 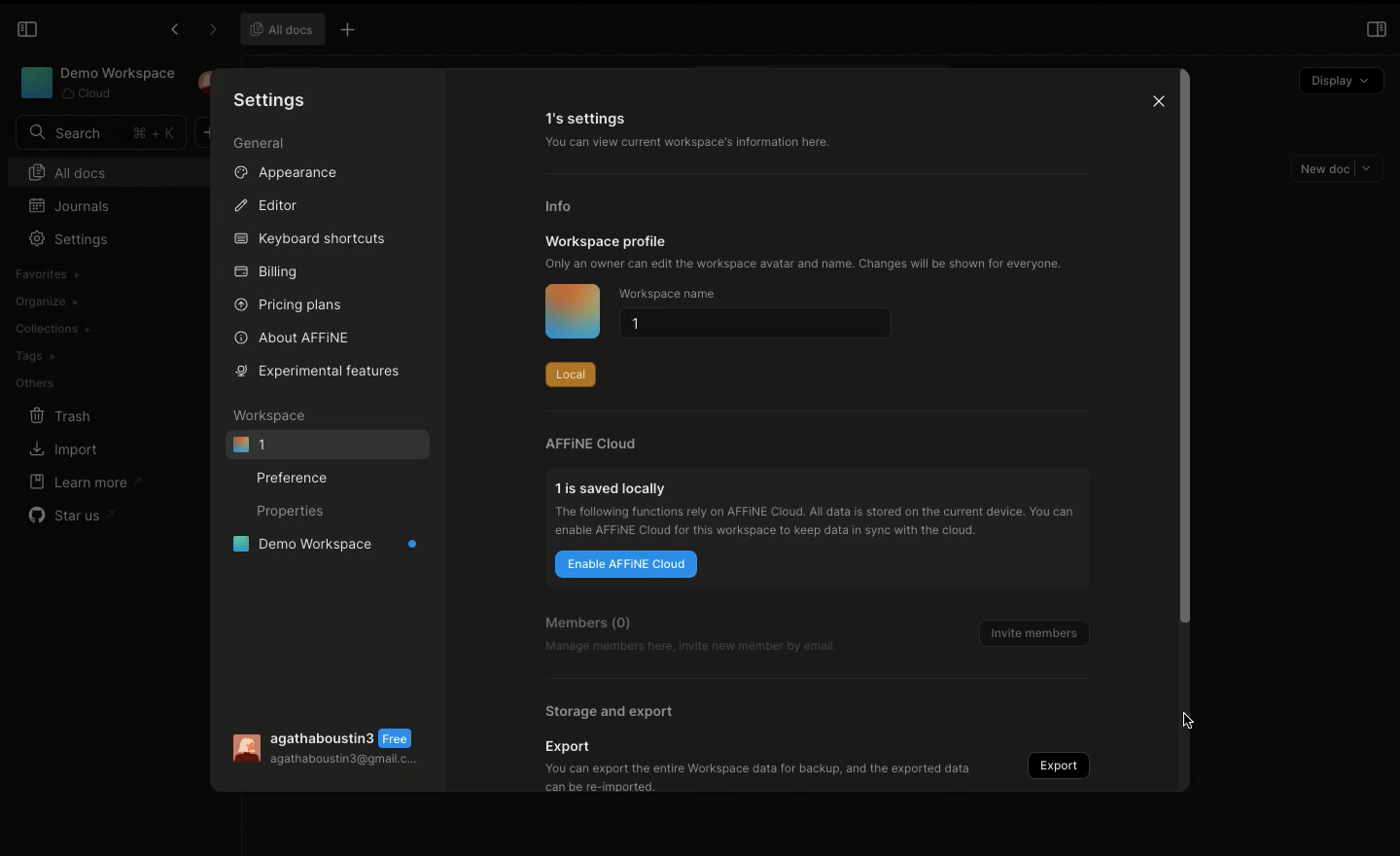 I want to click on Appearance, so click(x=294, y=176).